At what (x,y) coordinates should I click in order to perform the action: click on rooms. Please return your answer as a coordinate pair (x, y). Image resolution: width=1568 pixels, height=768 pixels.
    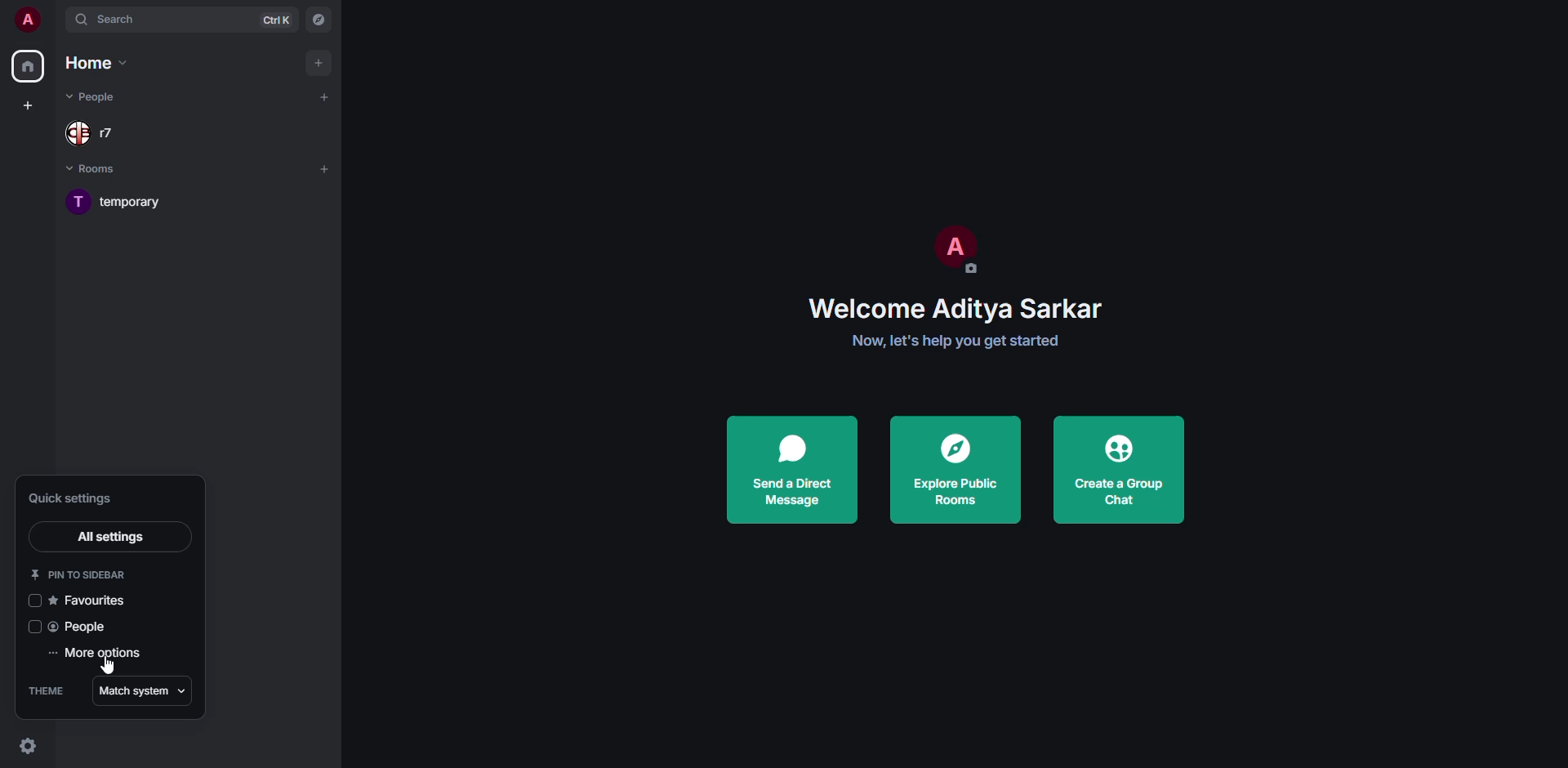
    Looking at the image, I should click on (95, 169).